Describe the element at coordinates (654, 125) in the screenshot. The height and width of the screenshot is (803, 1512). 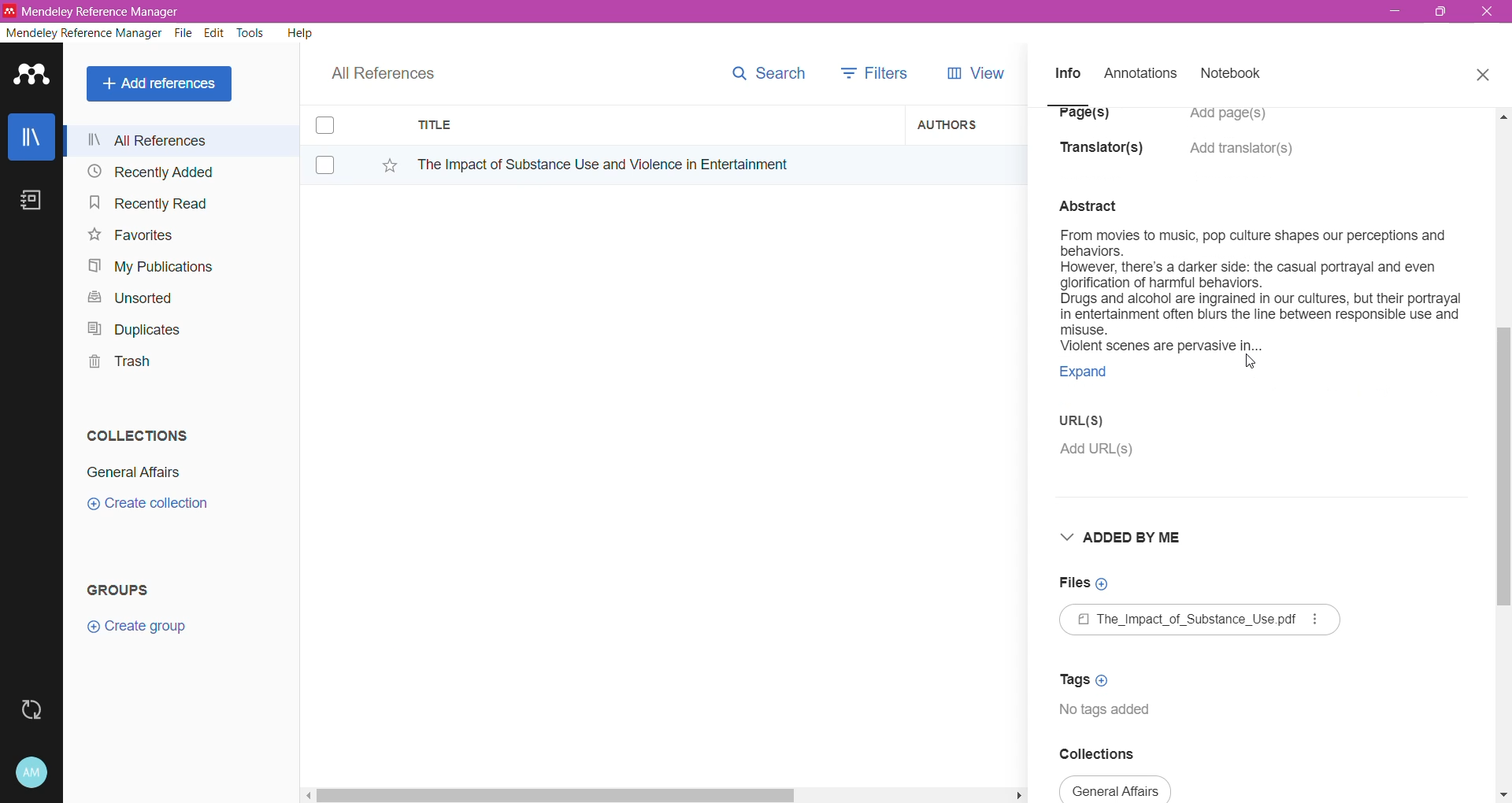
I see `Title` at that location.